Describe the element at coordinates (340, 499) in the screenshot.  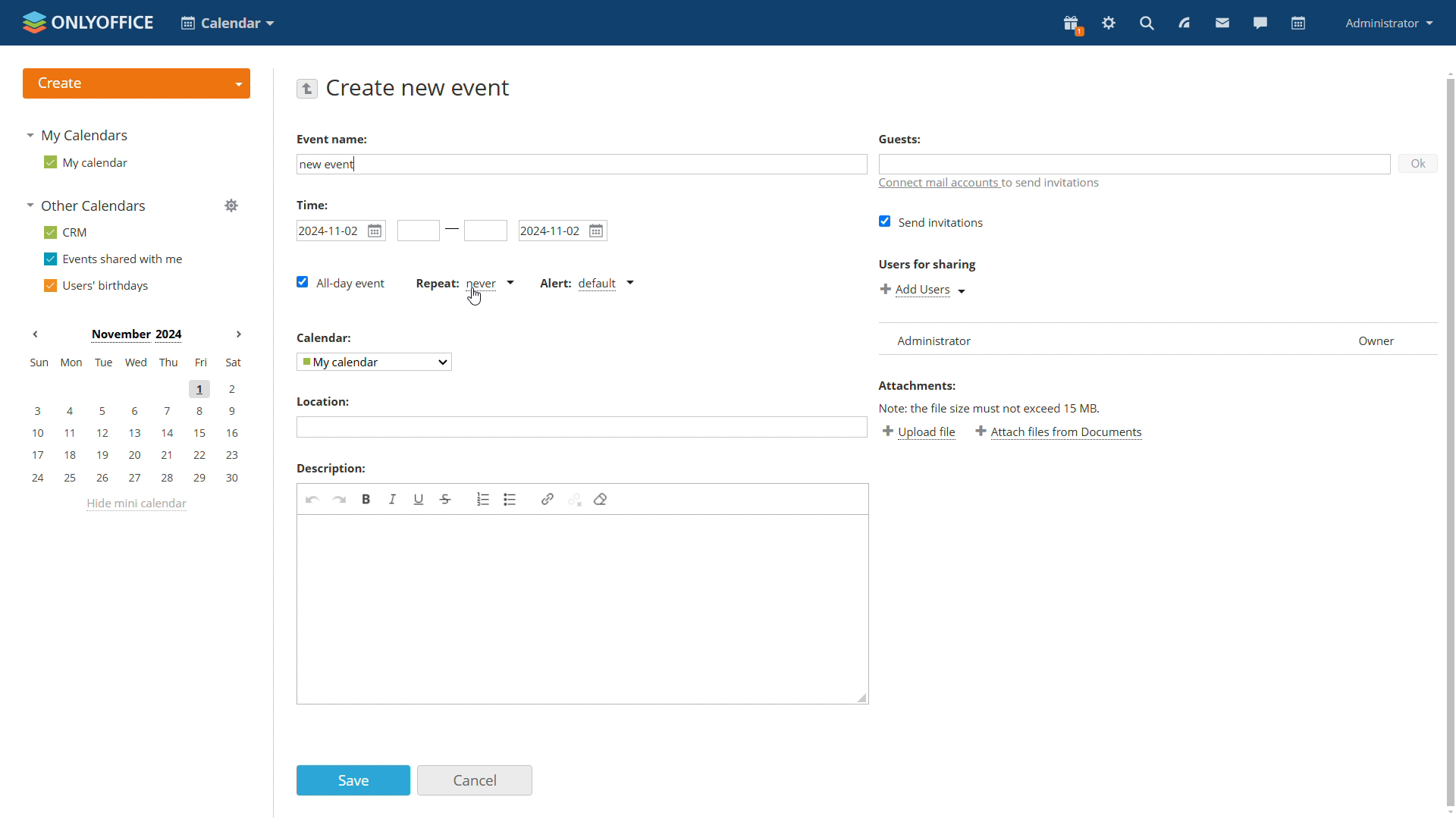
I see `redo` at that location.